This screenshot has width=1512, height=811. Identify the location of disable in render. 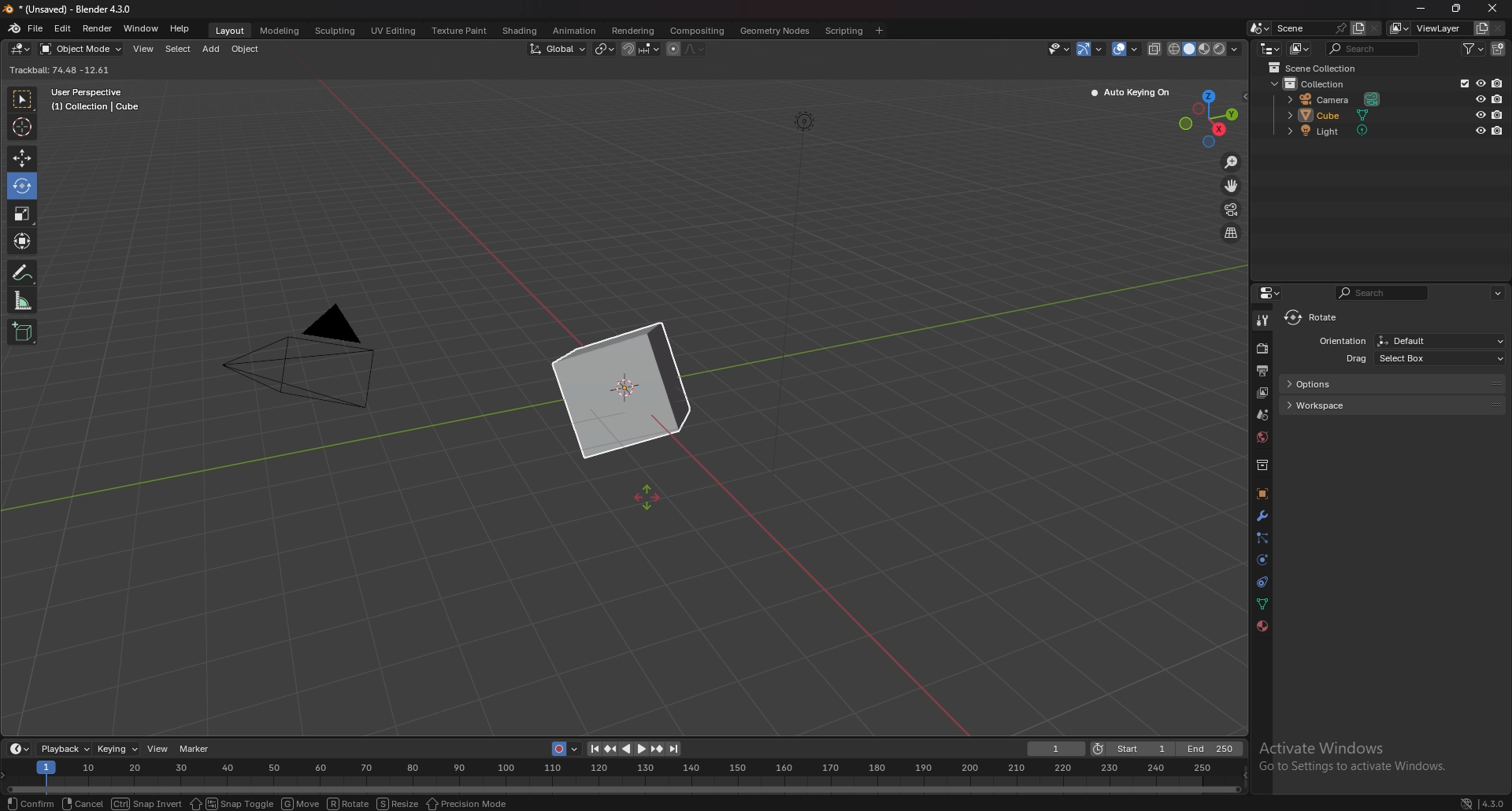
(1497, 98).